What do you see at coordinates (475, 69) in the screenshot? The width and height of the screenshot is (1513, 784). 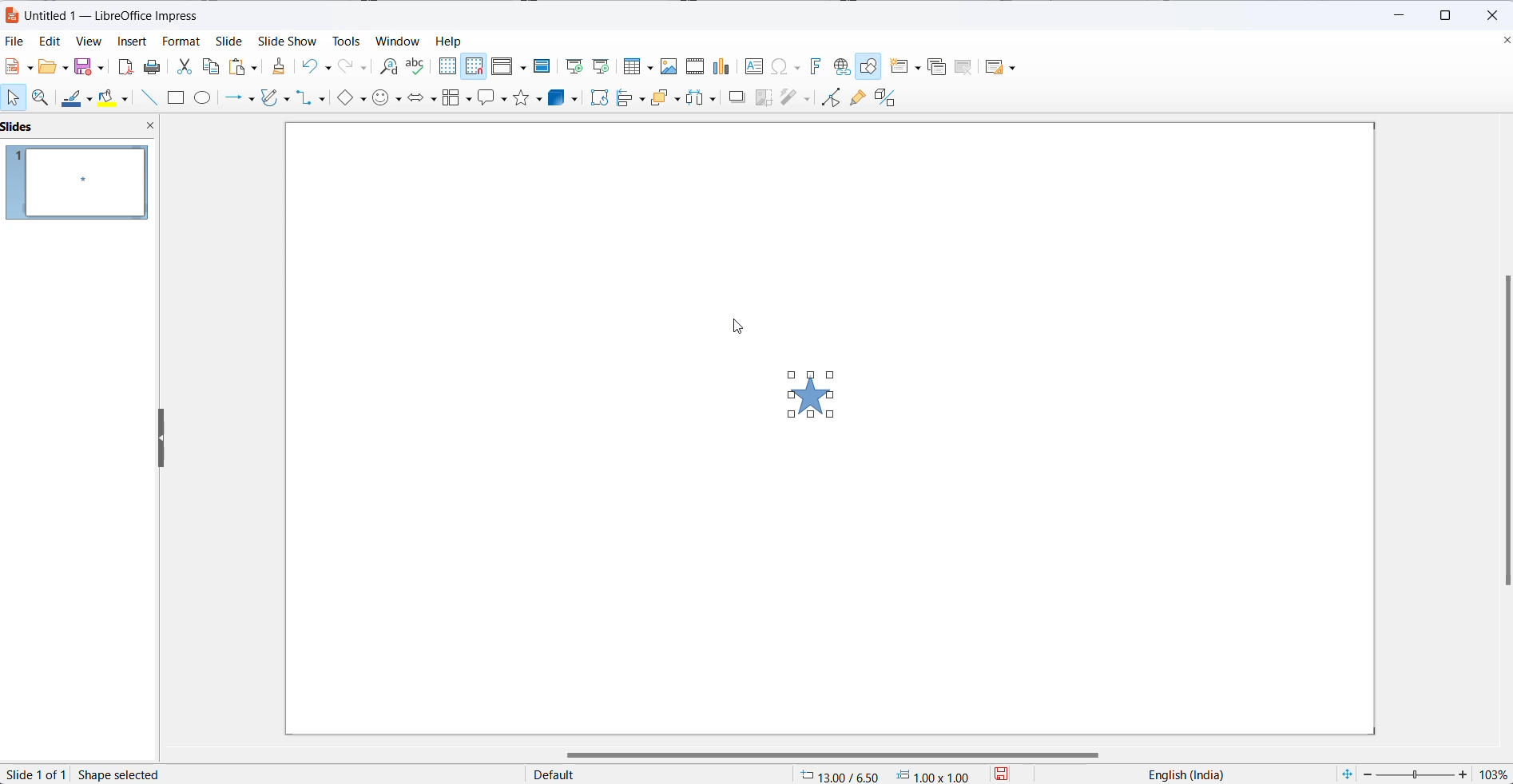 I see `snap to grid` at bounding box center [475, 69].